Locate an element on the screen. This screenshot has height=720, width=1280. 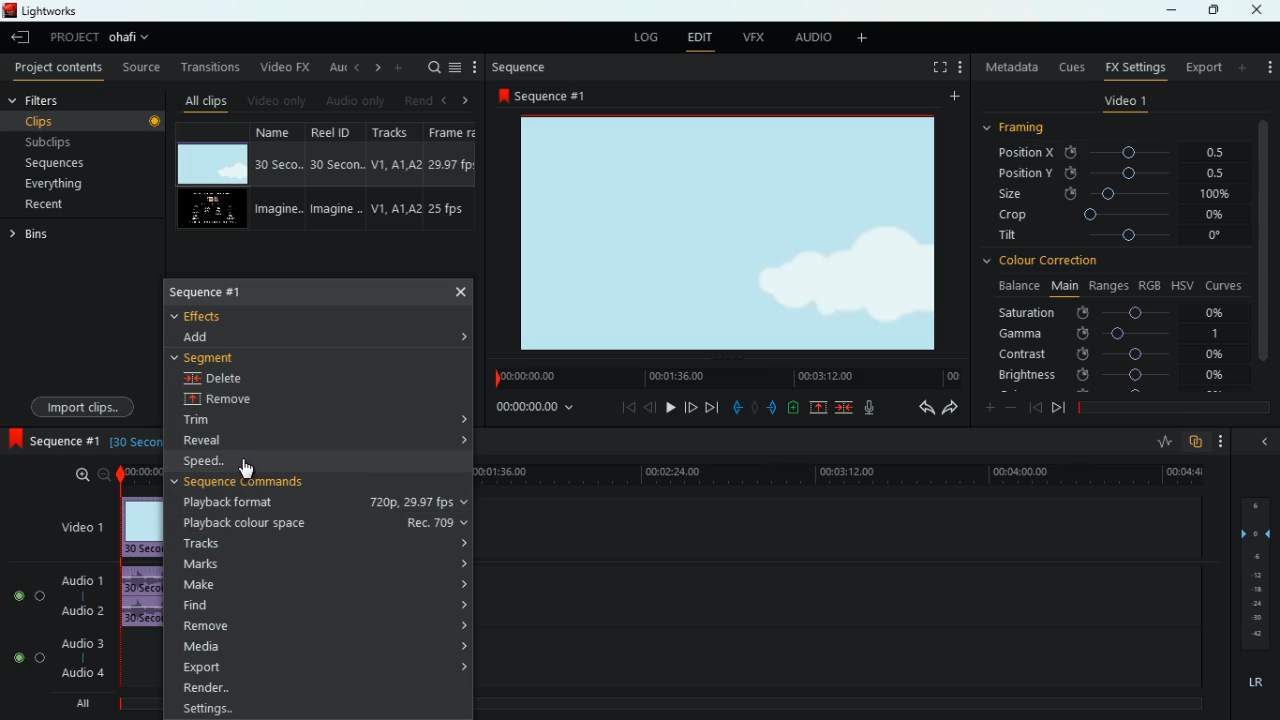
render is located at coordinates (234, 689).